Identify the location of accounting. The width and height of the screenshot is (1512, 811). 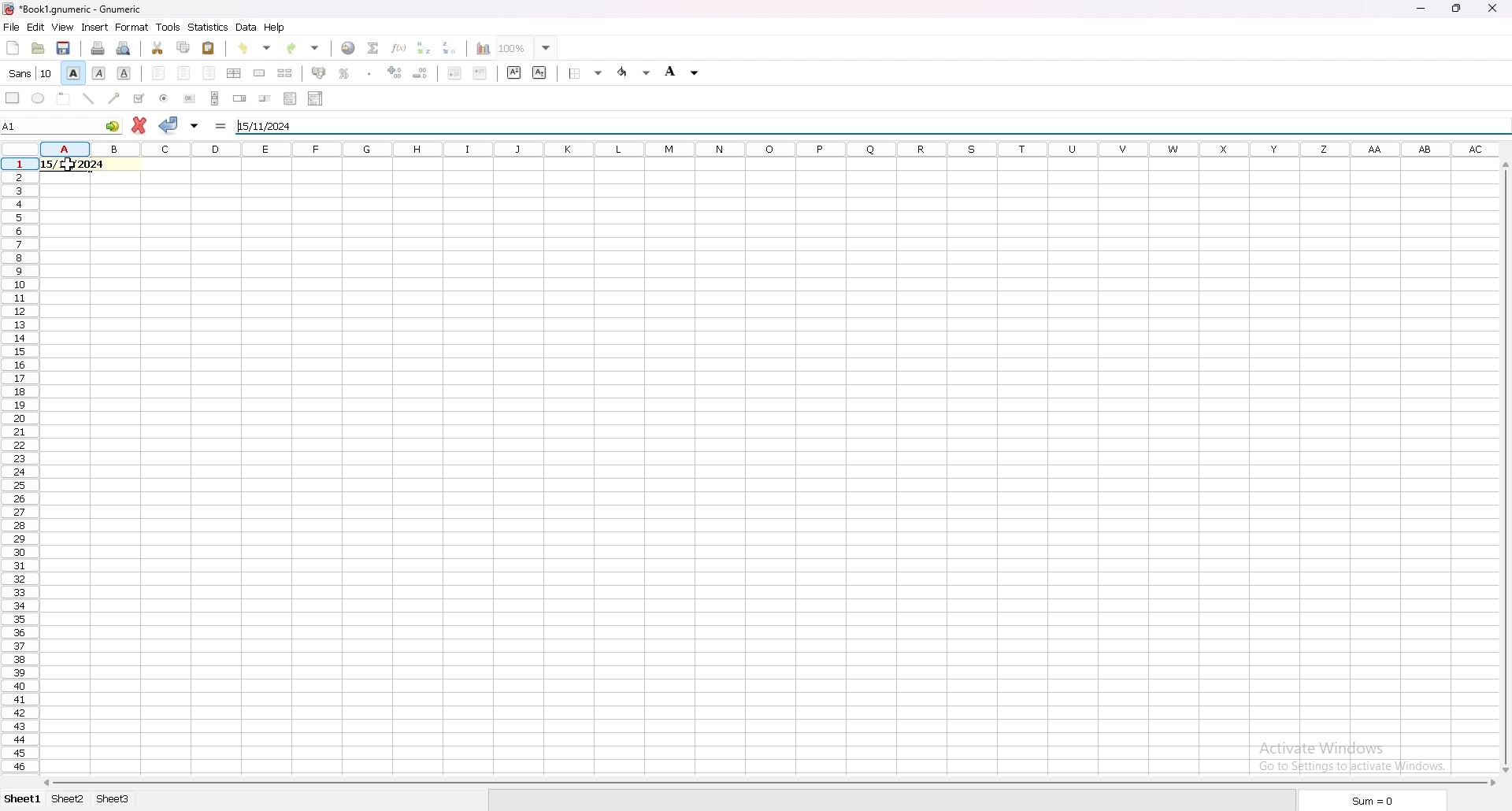
(321, 73).